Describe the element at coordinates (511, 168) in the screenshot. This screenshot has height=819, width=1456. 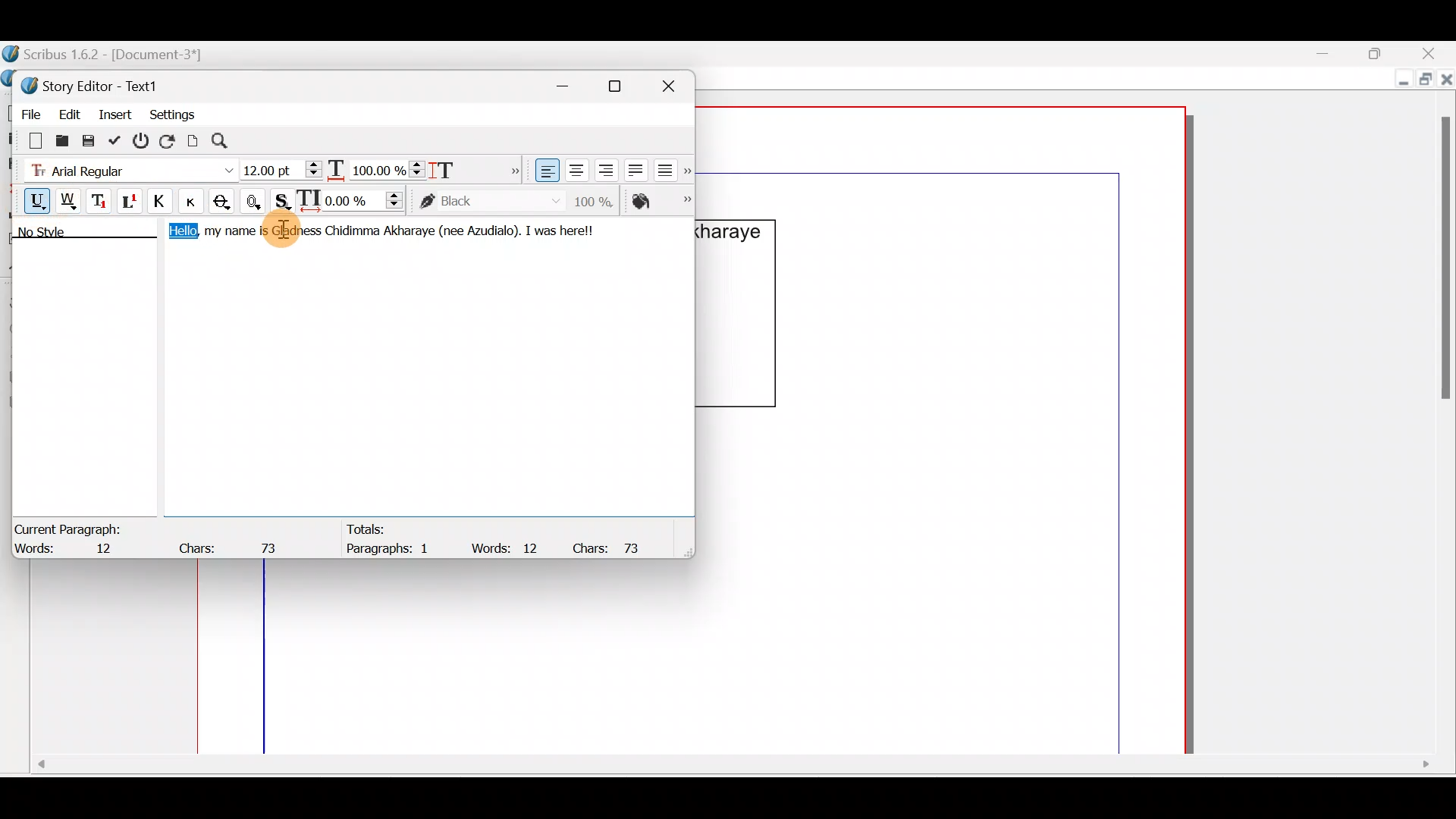
I see `More` at that location.